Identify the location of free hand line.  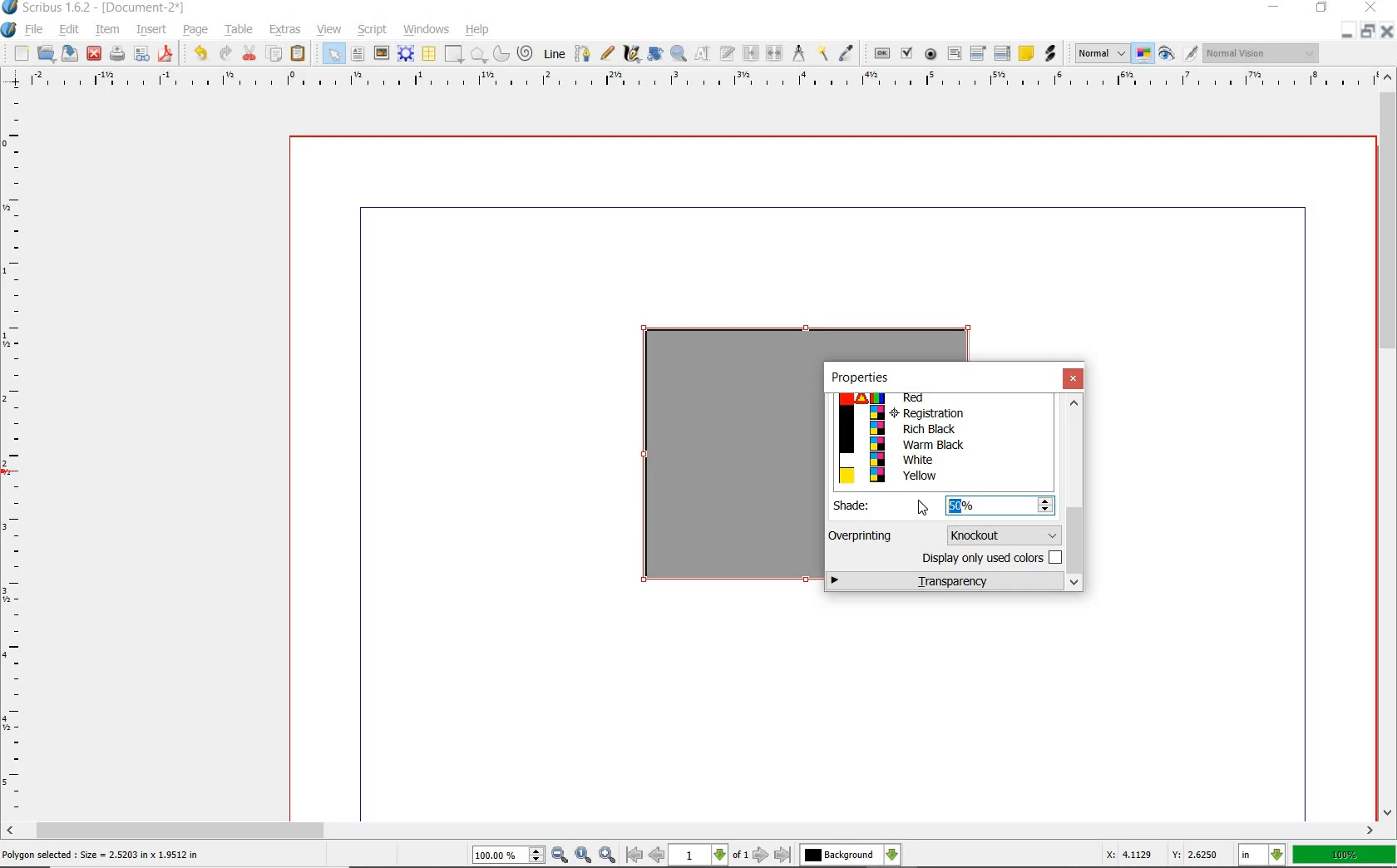
(607, 52).